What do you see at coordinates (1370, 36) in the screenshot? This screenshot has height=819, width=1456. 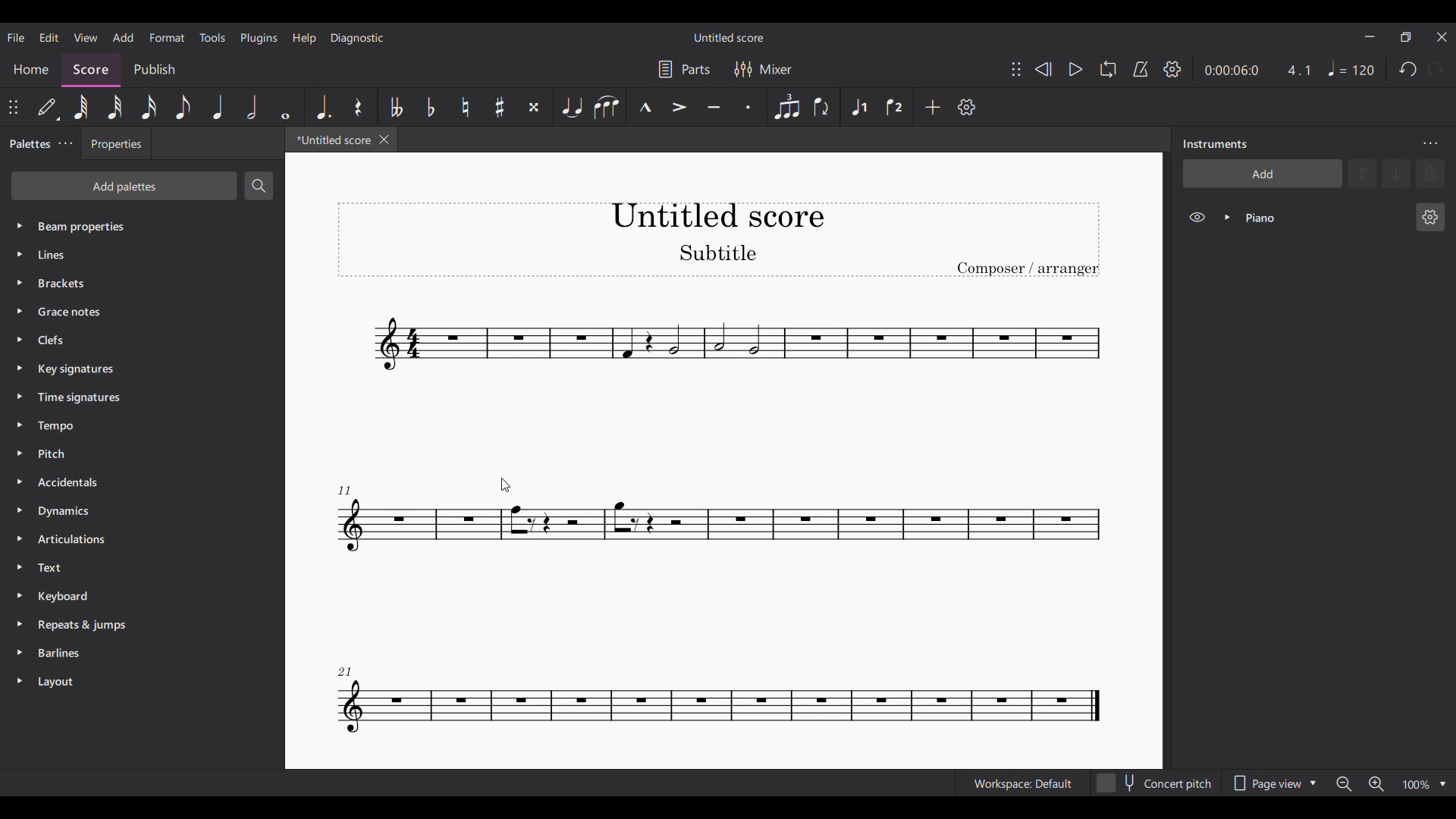 I see `Minimize` at bounding box center [1370, 36].